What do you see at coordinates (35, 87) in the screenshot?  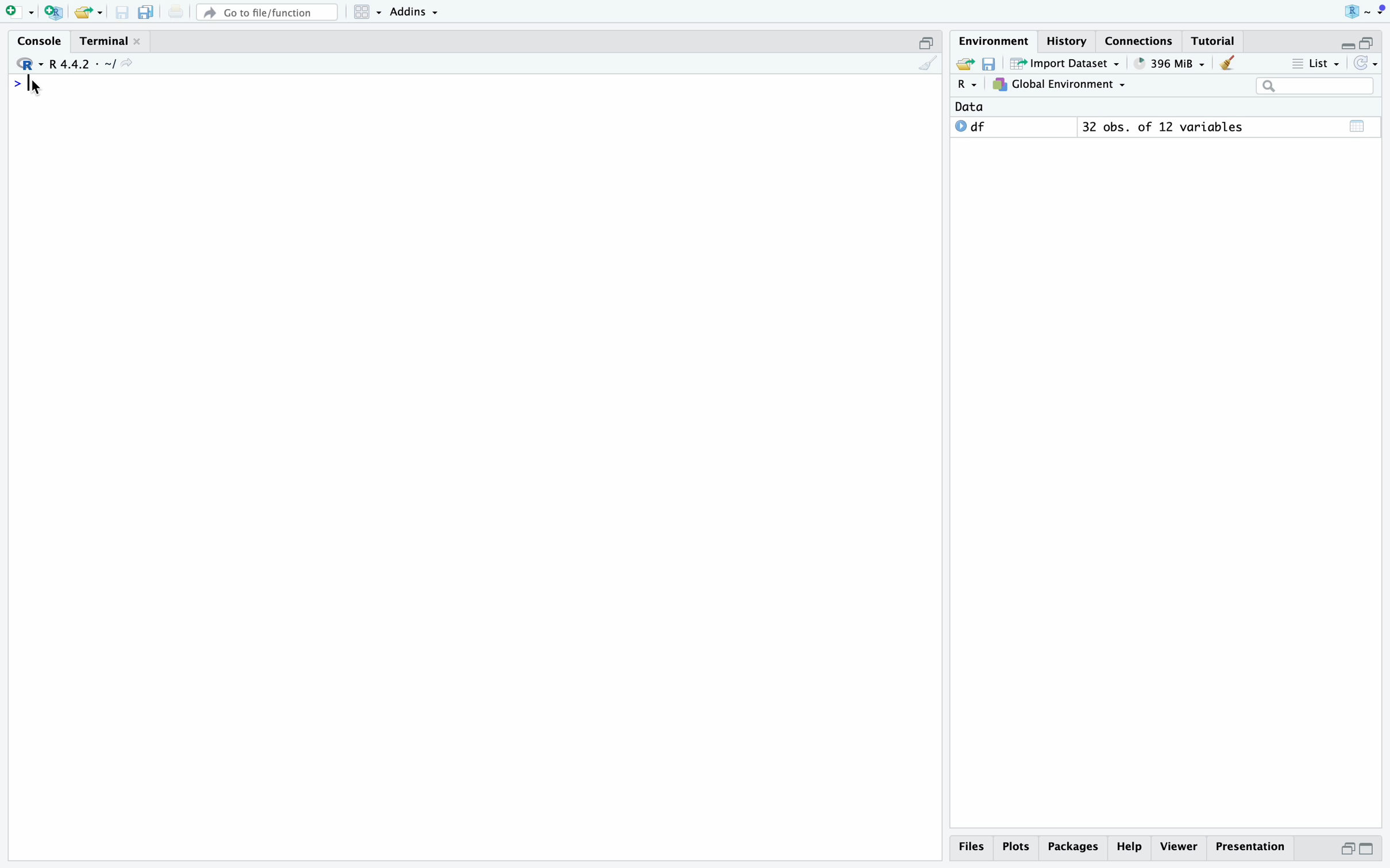 I see `cursor` at bounding box center [35, 87].